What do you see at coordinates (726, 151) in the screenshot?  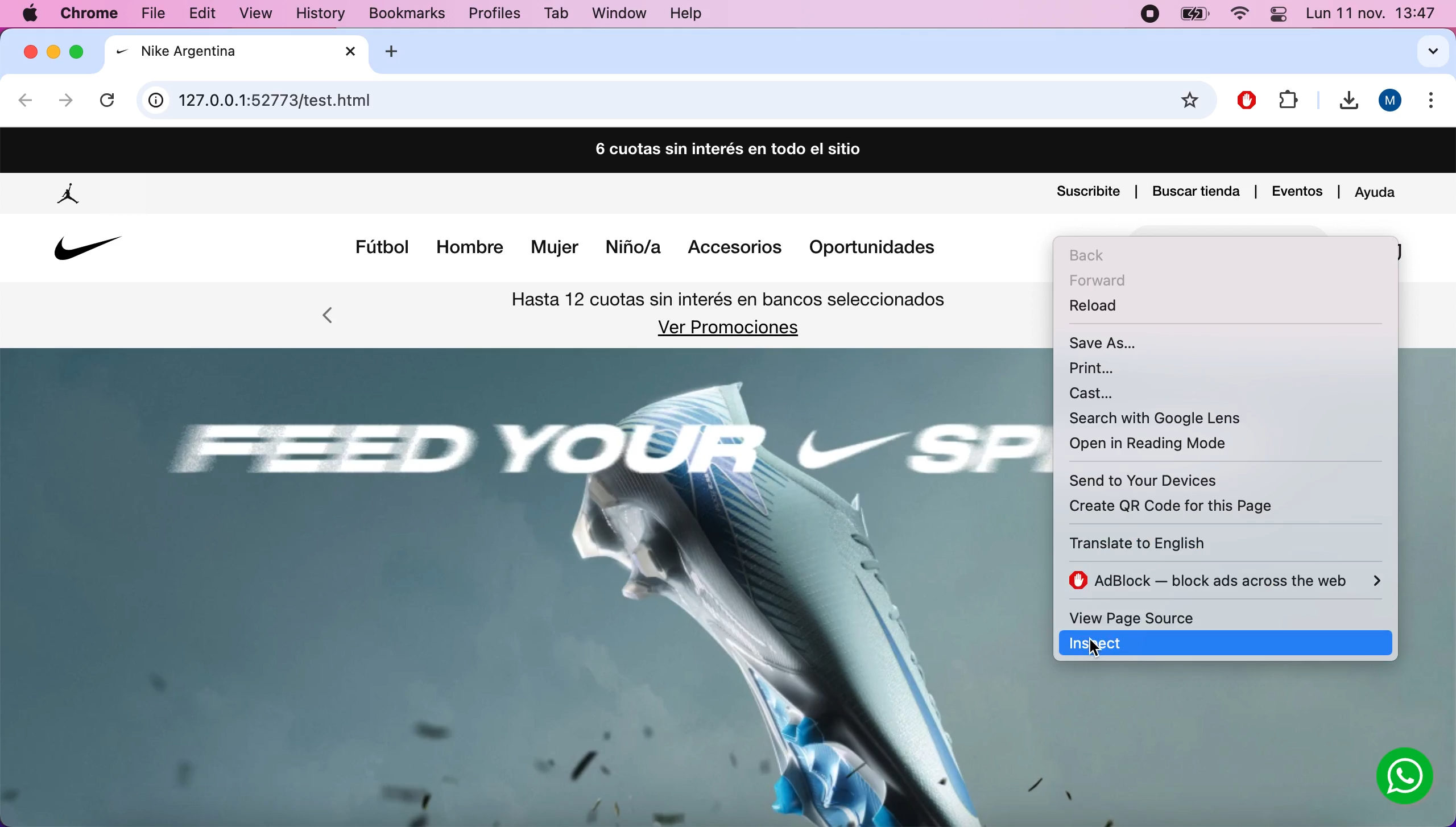 I see `6 interest-free installments across the entire site` at bounding box center [726, 151].